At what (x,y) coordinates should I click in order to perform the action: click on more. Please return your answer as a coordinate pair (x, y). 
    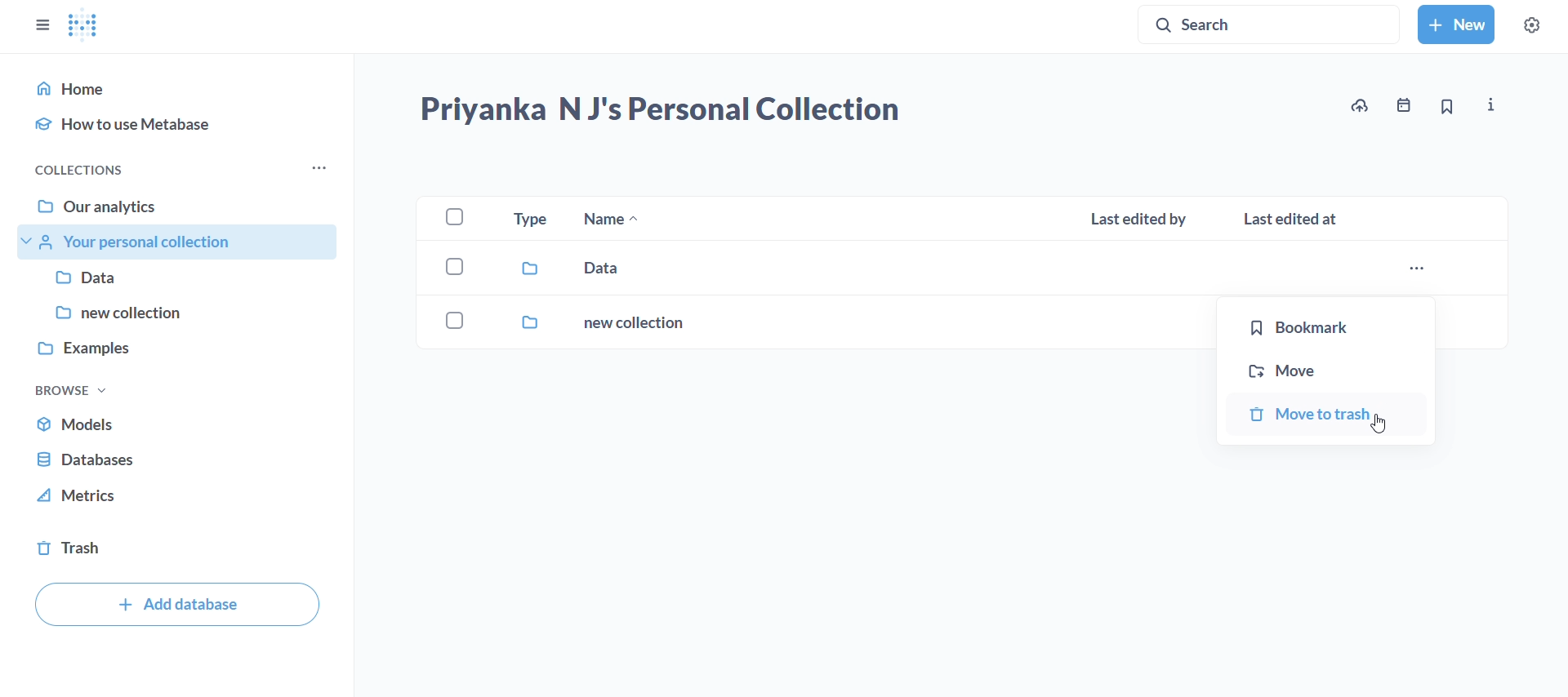
    Looking at the image, I should click on (320, 171).